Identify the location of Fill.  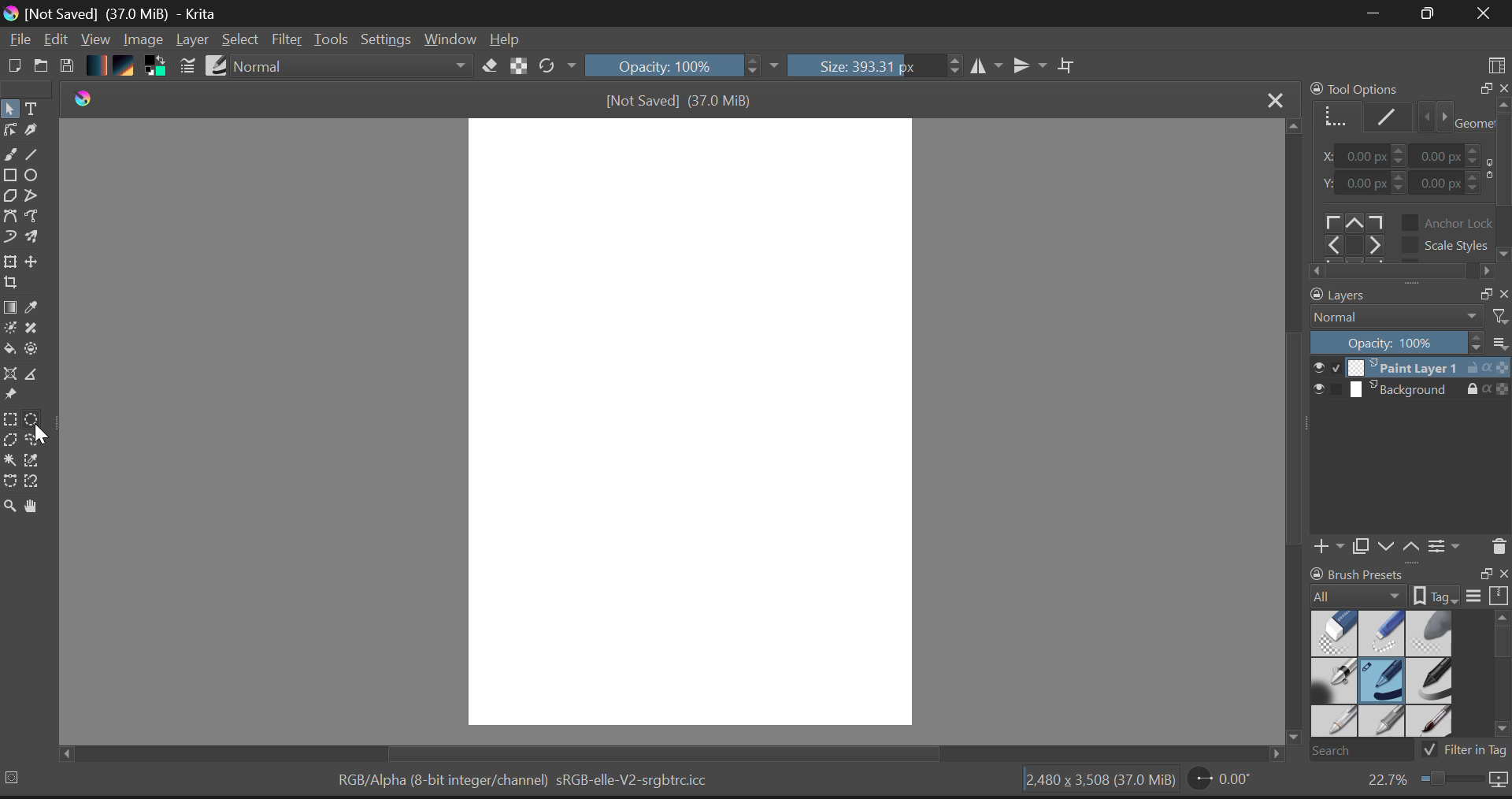
(11, 349).